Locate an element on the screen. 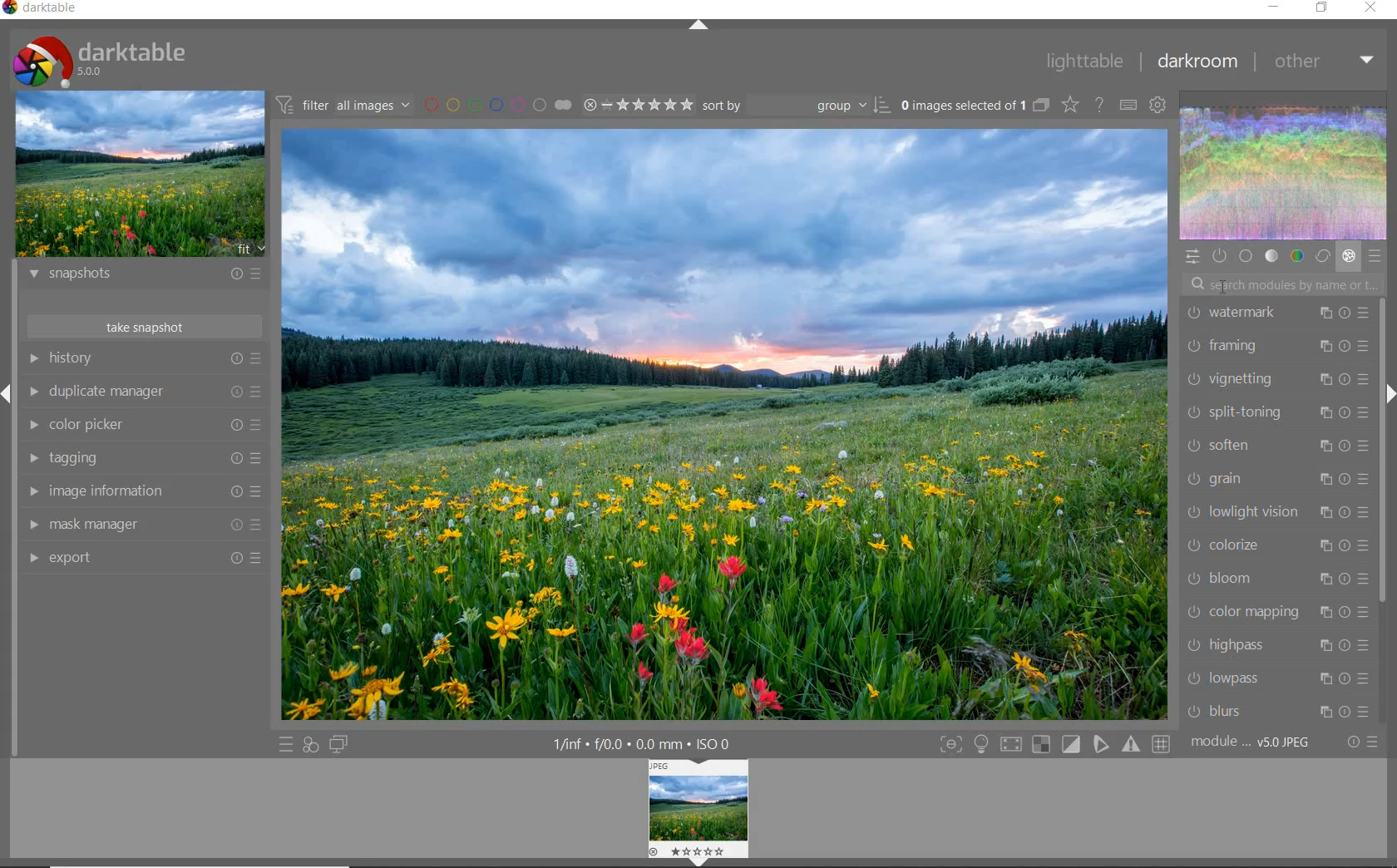  lighttable is located at coordinates (1086, 63).